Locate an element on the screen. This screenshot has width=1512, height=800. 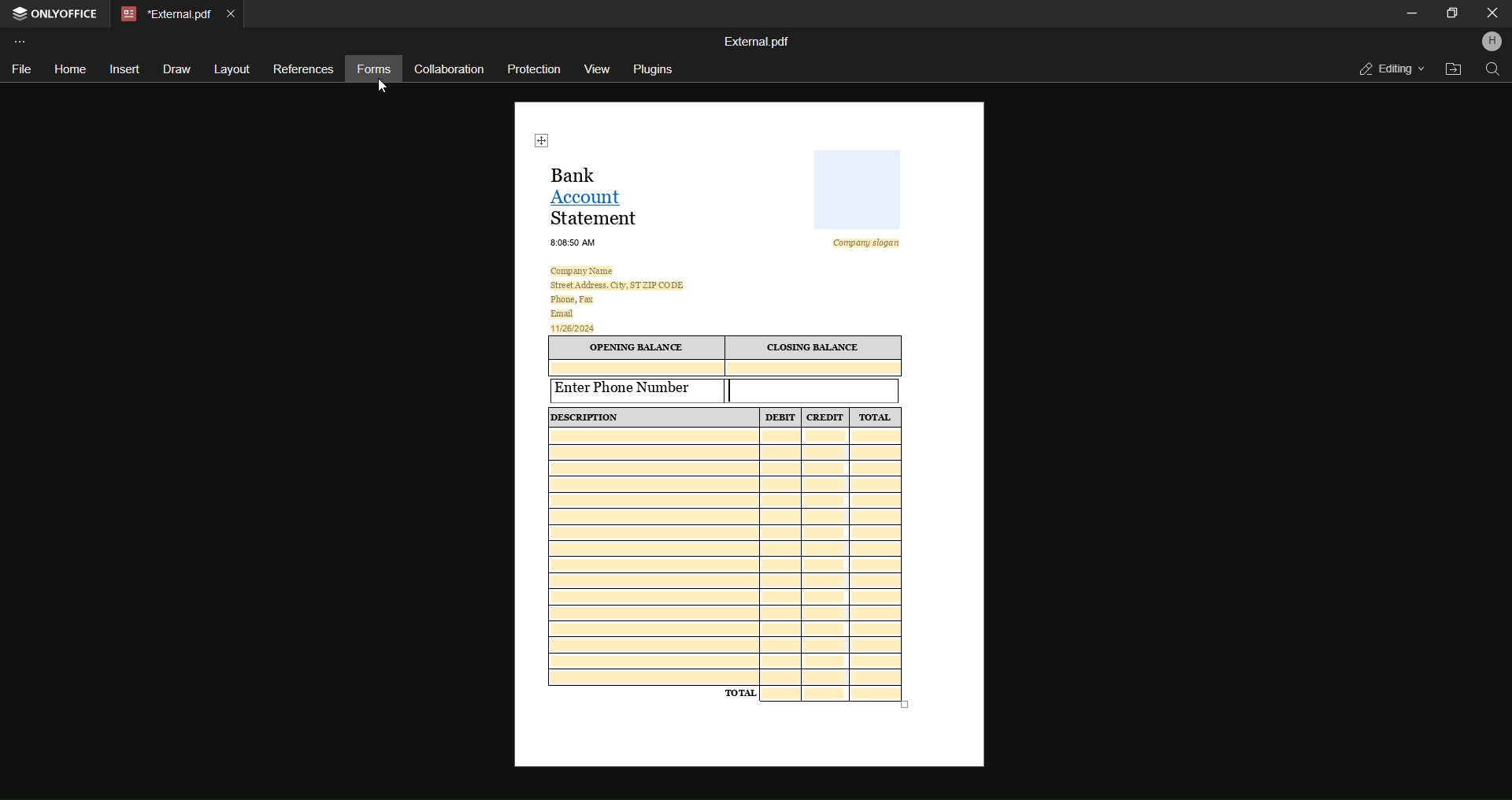
find is located at coordinates (1492, 70).